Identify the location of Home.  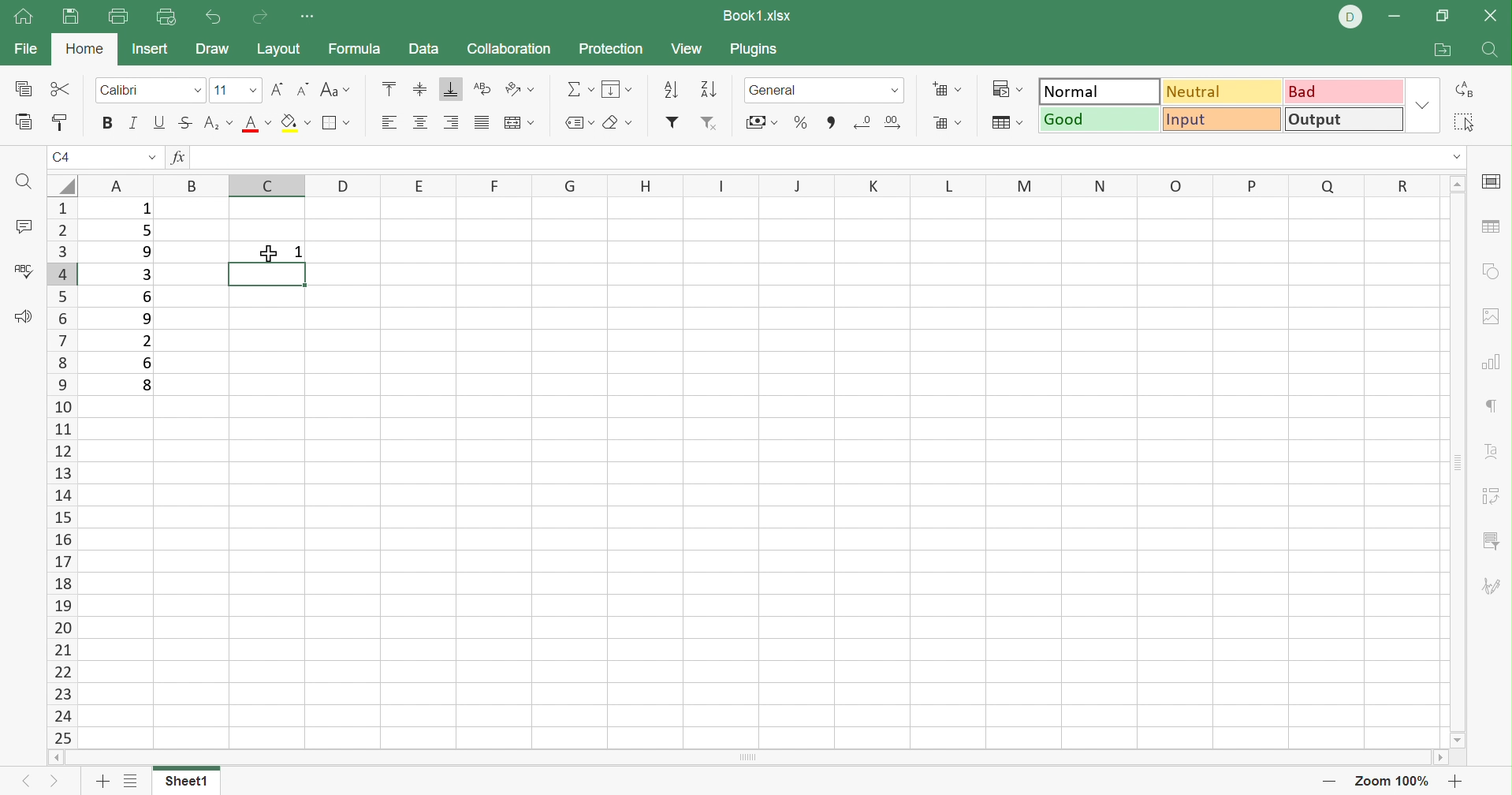
(25, 19).